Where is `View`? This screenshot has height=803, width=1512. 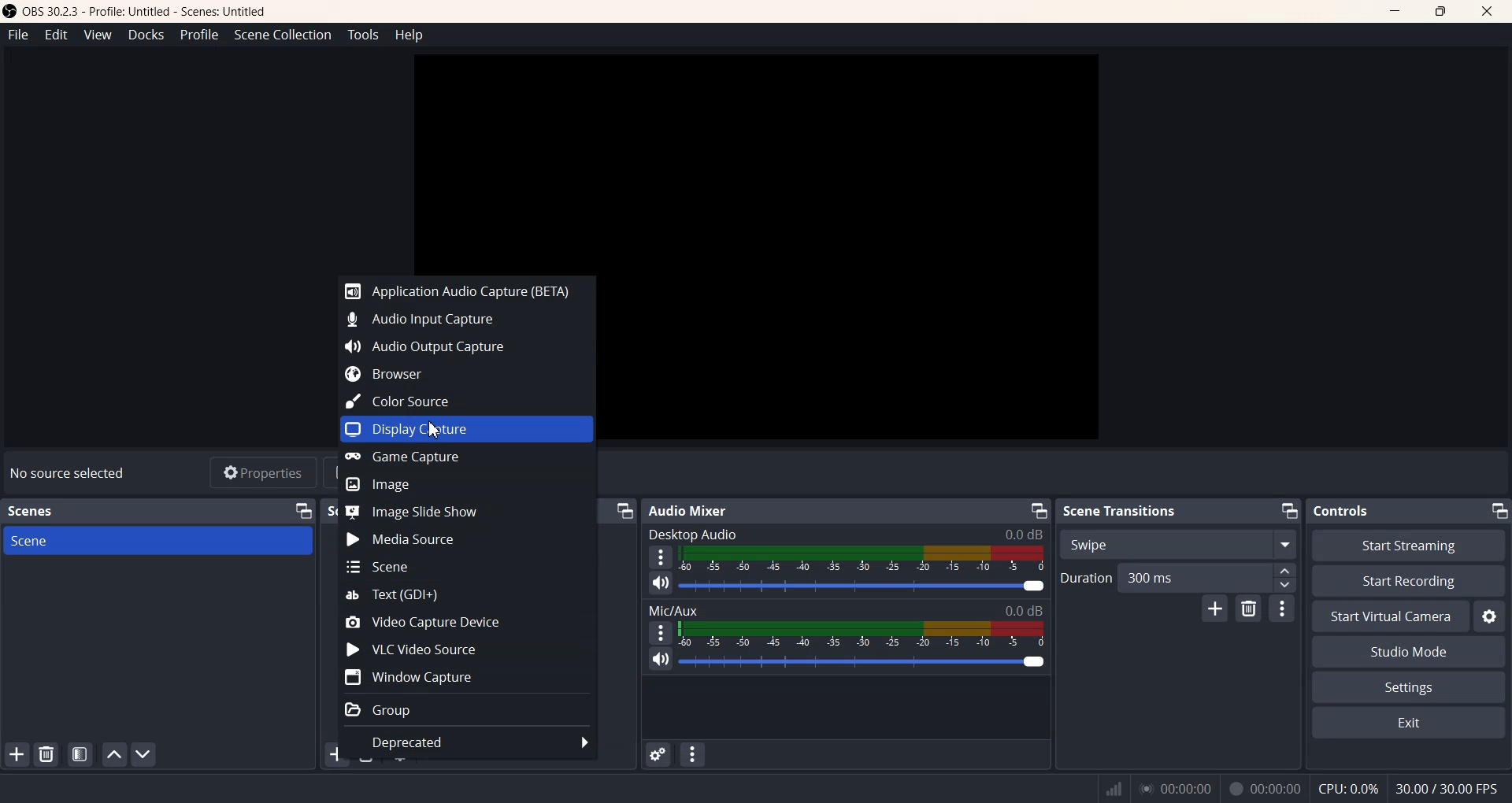
View is located at coordinates (97, 35).